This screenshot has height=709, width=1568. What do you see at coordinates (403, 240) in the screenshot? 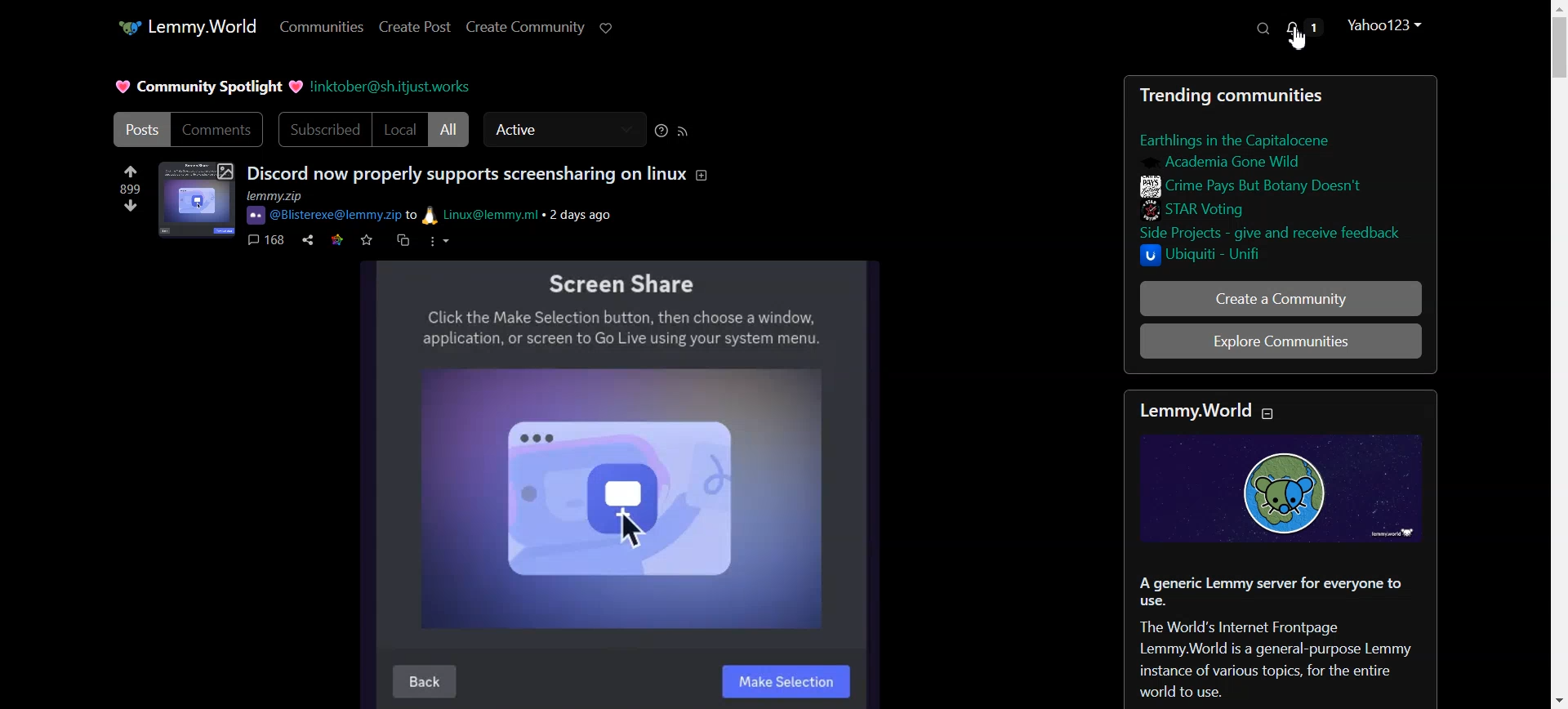
I see `Cross-post` at bounding box center [403, 240].